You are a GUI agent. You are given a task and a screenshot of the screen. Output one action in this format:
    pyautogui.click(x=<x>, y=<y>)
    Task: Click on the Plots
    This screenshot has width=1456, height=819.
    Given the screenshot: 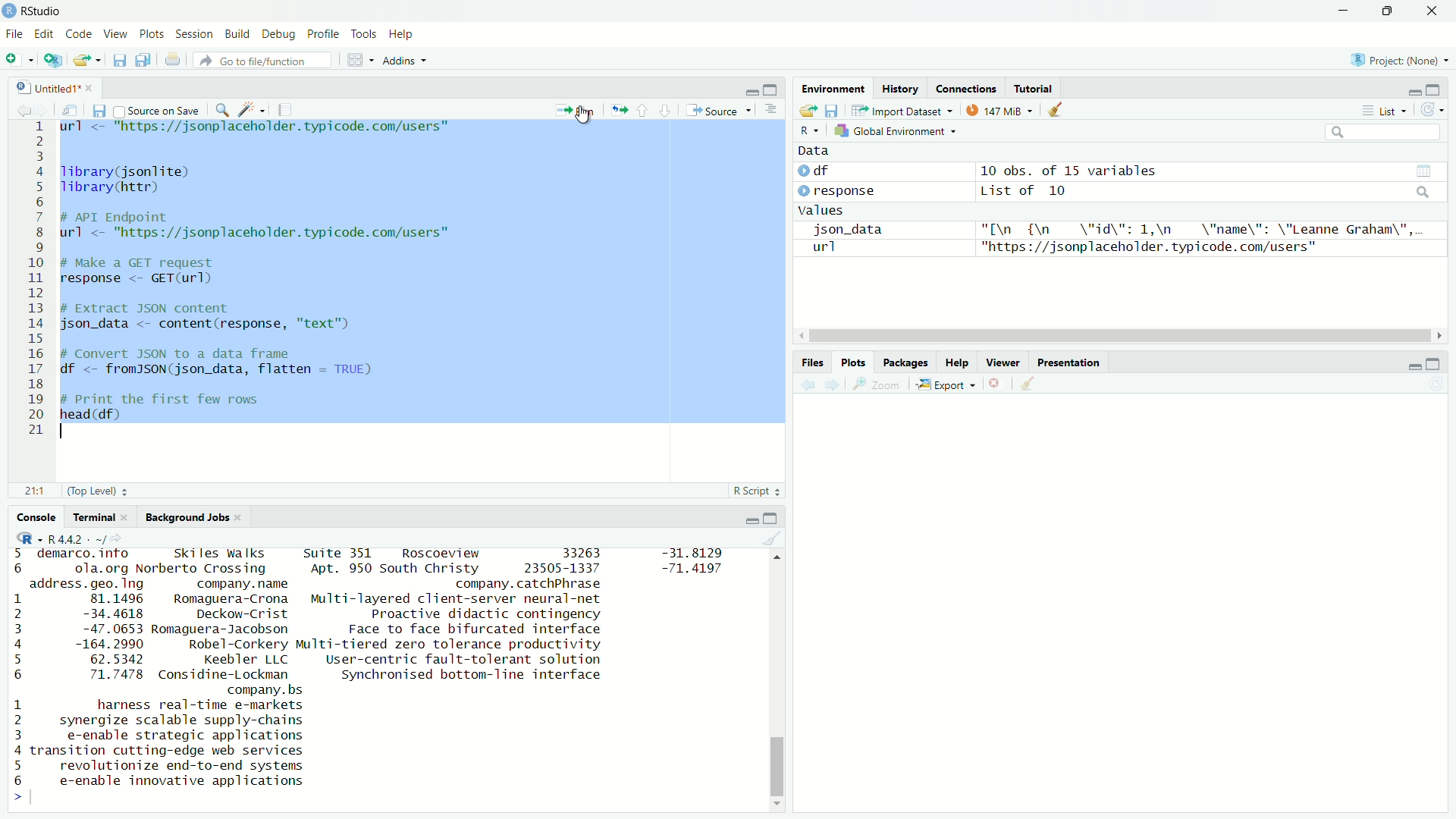 What is the action you would take?
    pyautogui.click(x=151, y=34)
    